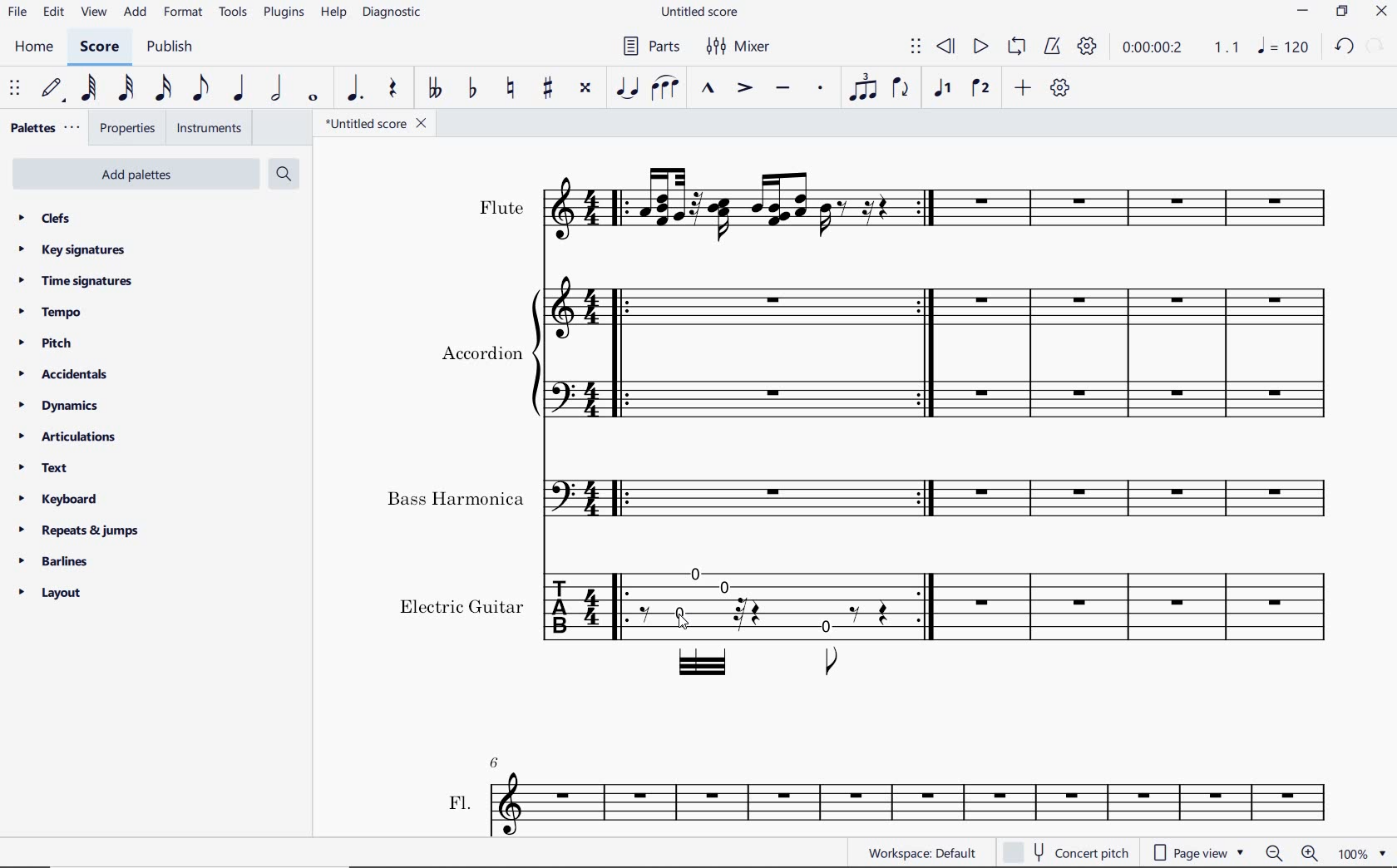 The image size is (1397, 868). Describe the element at coordinates (821, 89) in the screenshot. I see `staccato` at that location.